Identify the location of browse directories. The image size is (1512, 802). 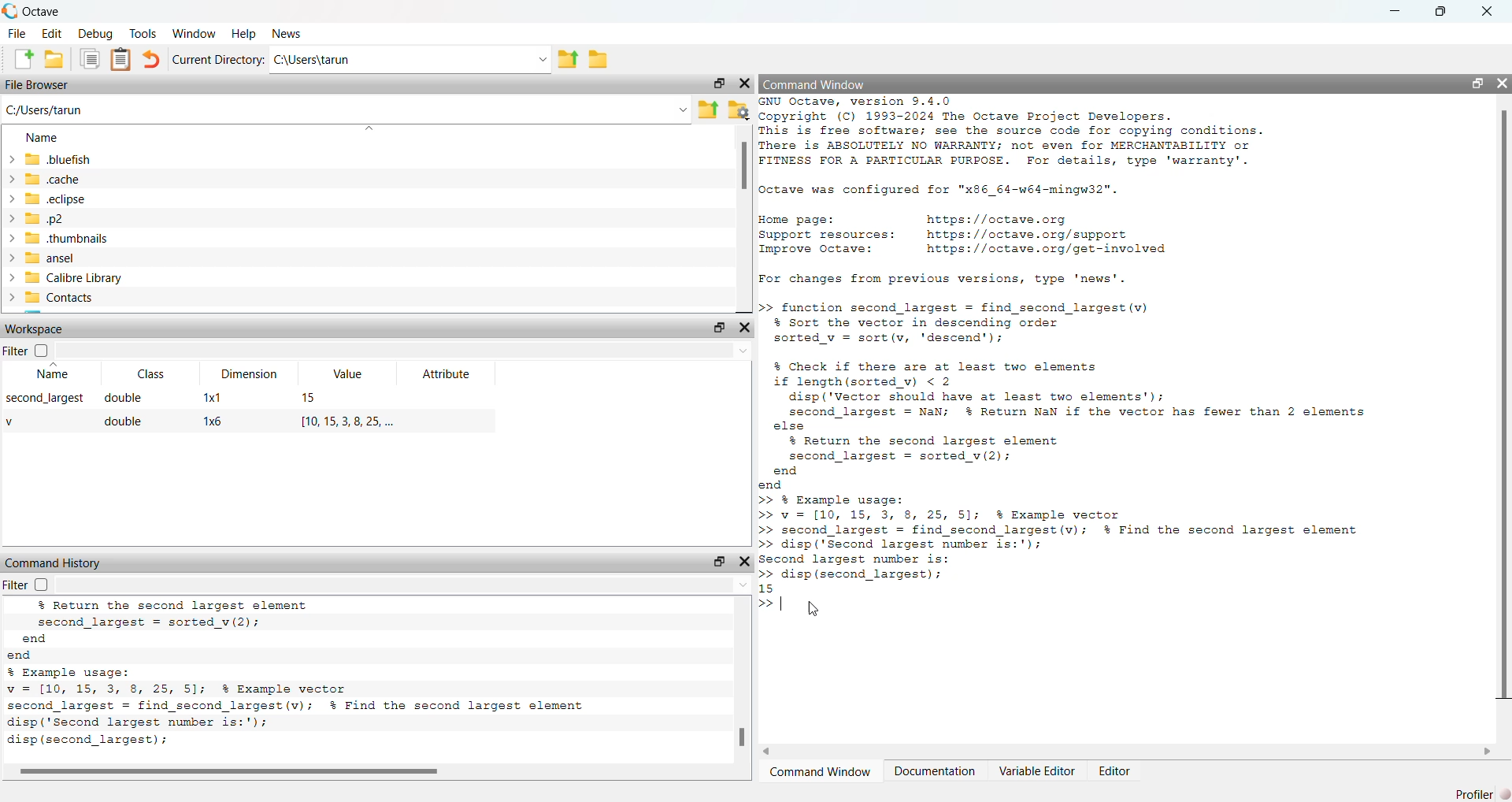
(606, 58).